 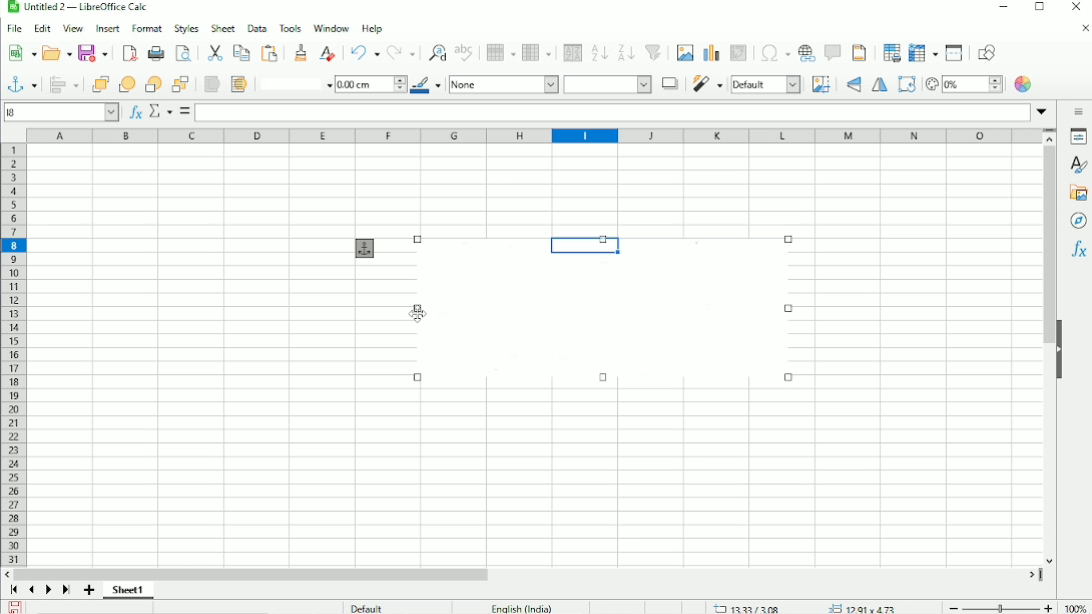 I want to click on Headers and footers, so click(x=859, y=53).